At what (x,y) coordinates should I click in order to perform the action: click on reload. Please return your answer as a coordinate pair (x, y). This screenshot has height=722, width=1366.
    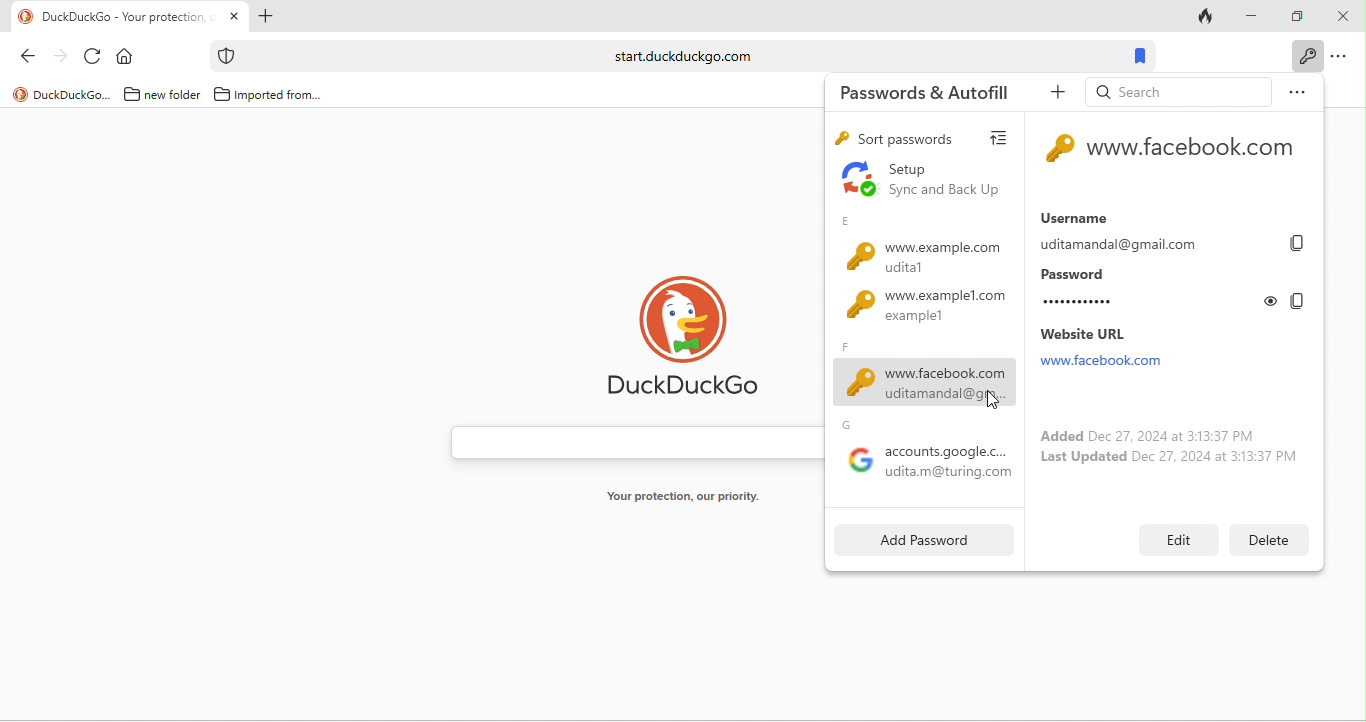
    Looking at the image, I should click on (94, 58).